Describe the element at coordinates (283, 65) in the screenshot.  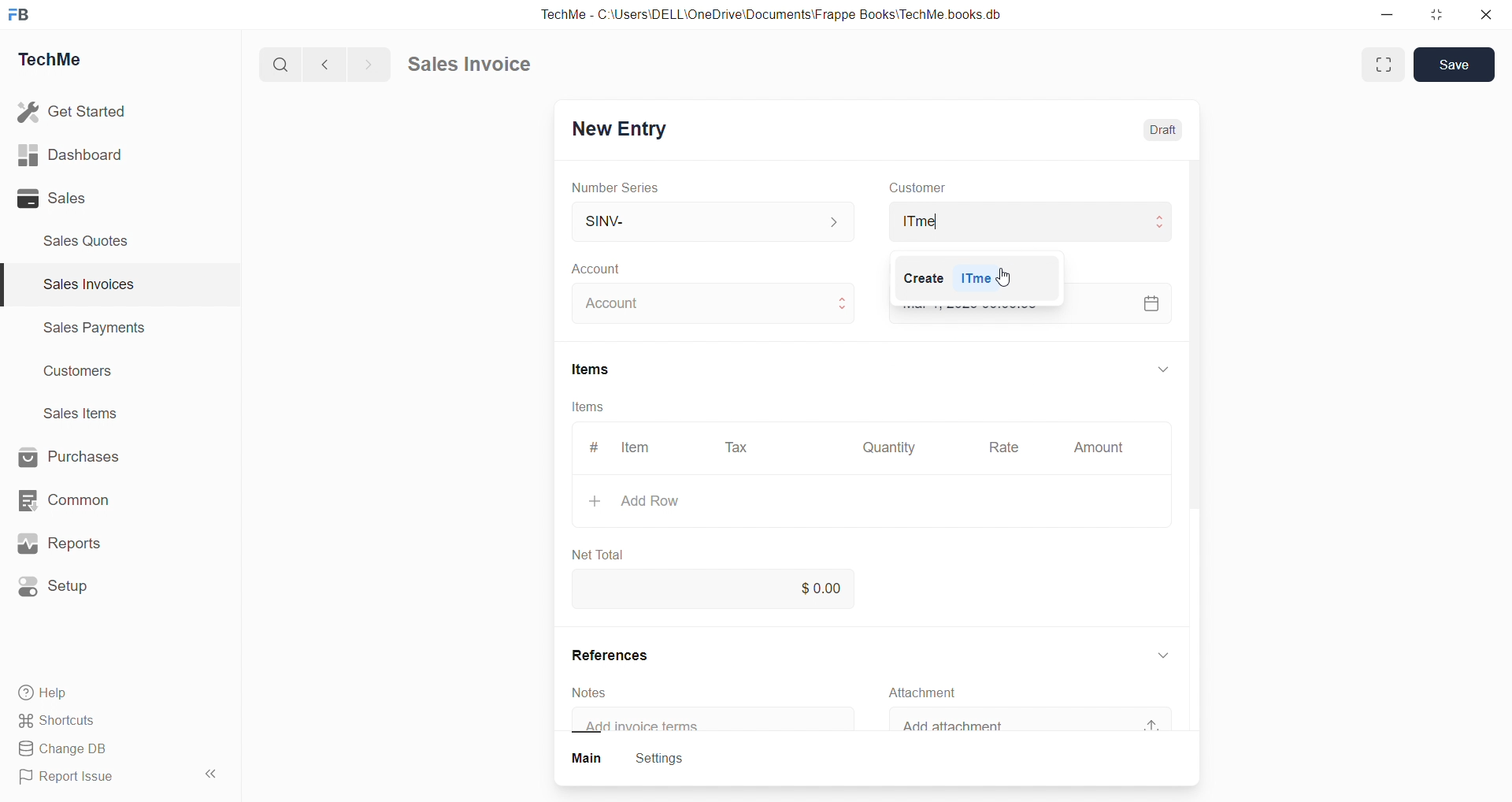
I see `Search buton` at that location.